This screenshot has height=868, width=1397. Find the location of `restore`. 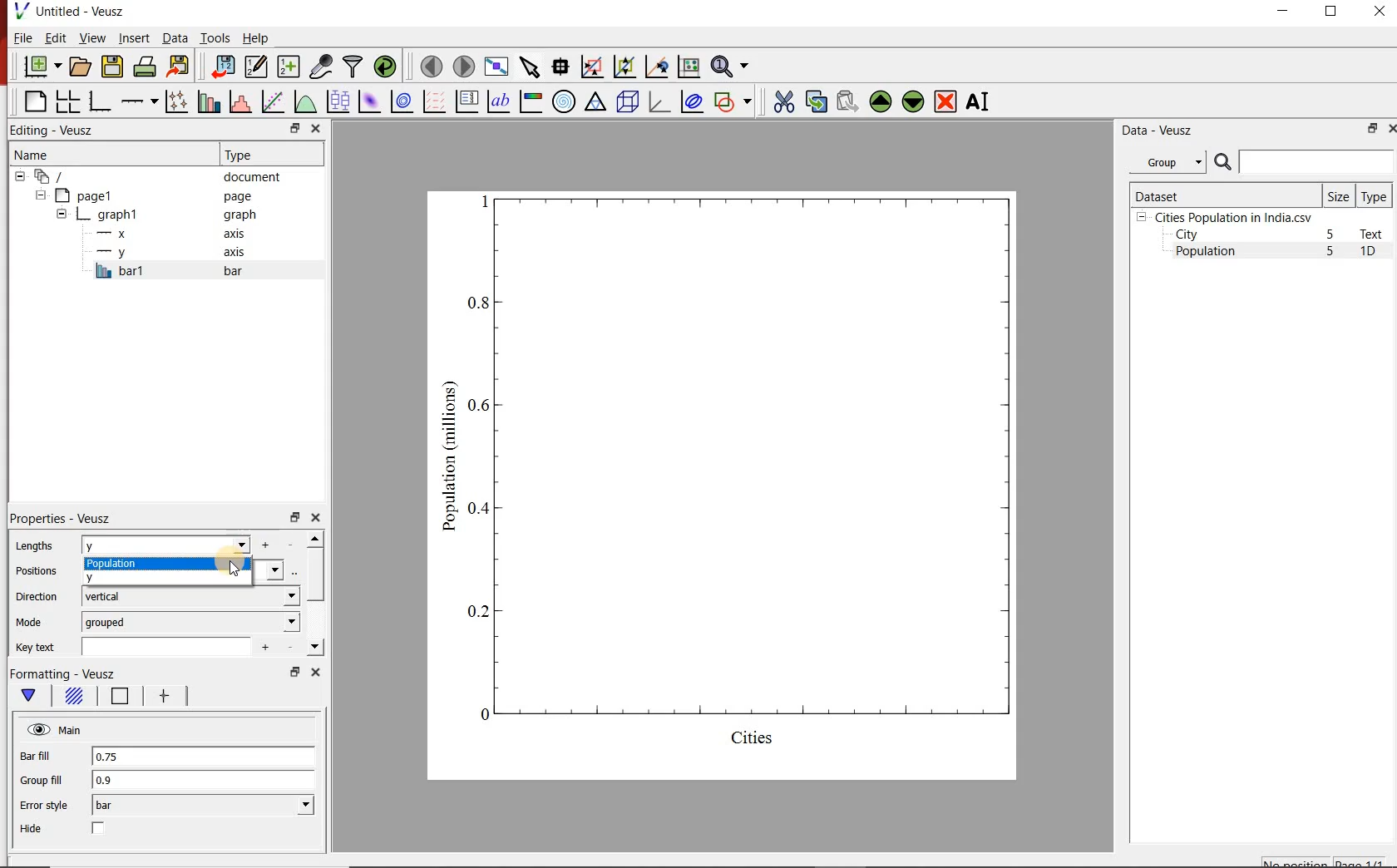

restore is located at coordinates (294, 516).